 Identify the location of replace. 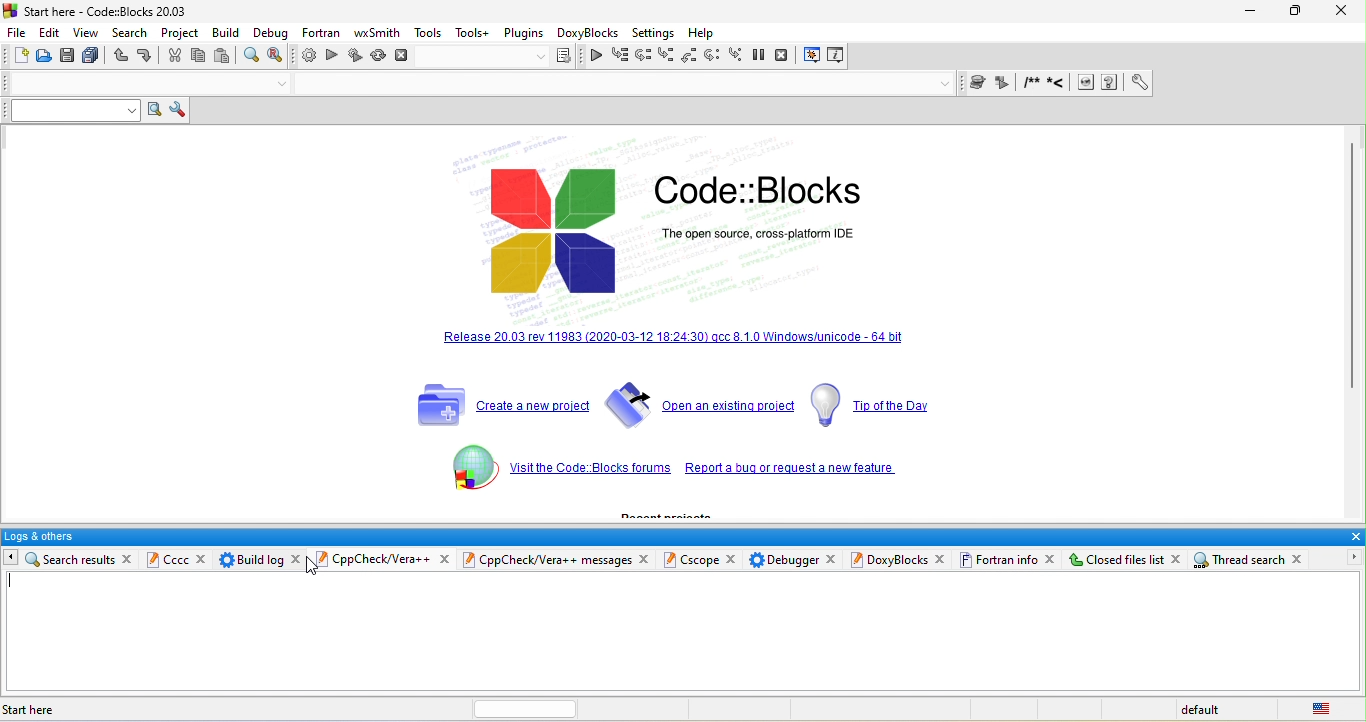
(276, 55).